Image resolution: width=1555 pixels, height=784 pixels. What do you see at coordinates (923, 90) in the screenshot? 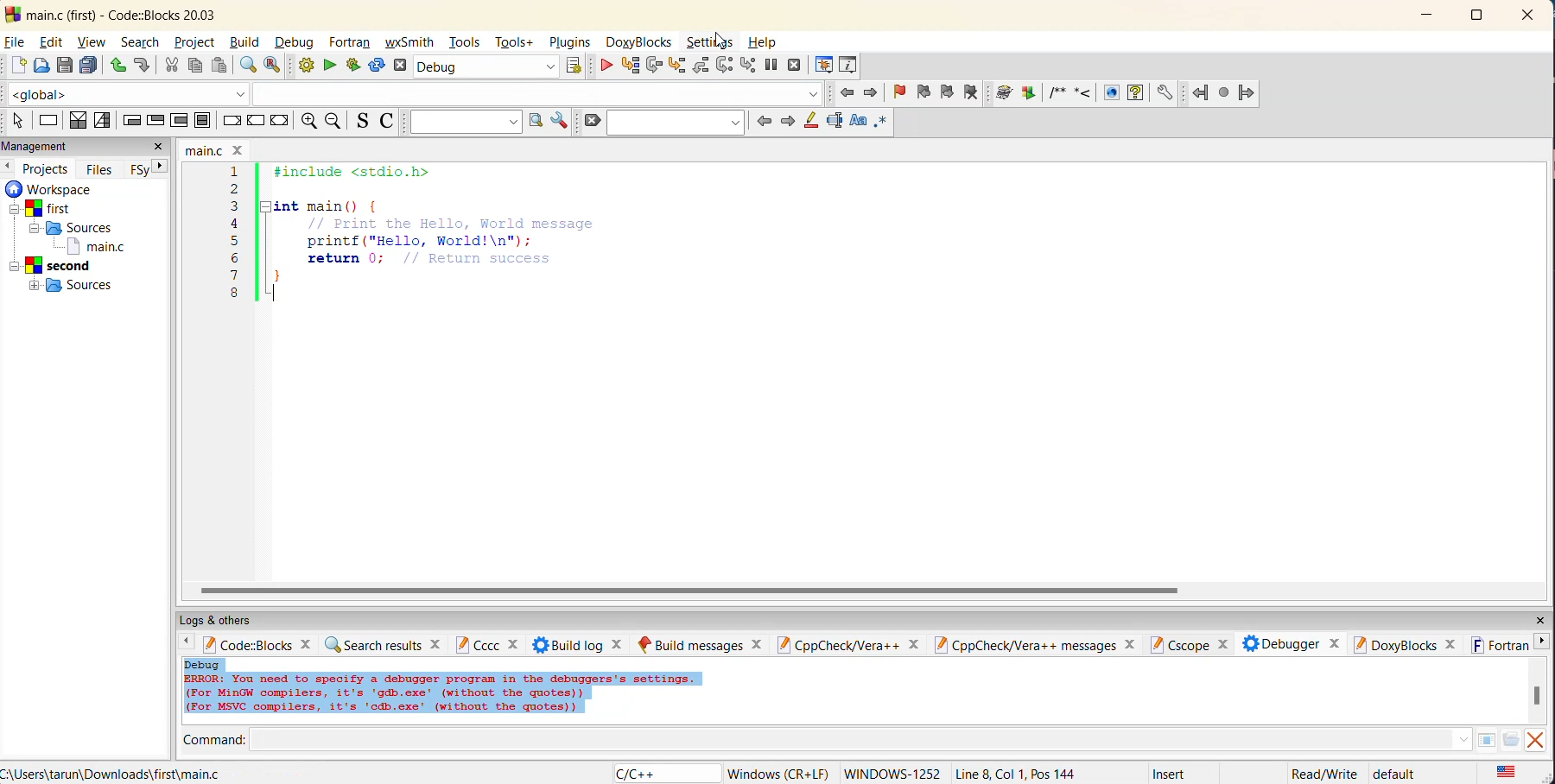
I see `previous bookmark` at bounding box center [923, 90].